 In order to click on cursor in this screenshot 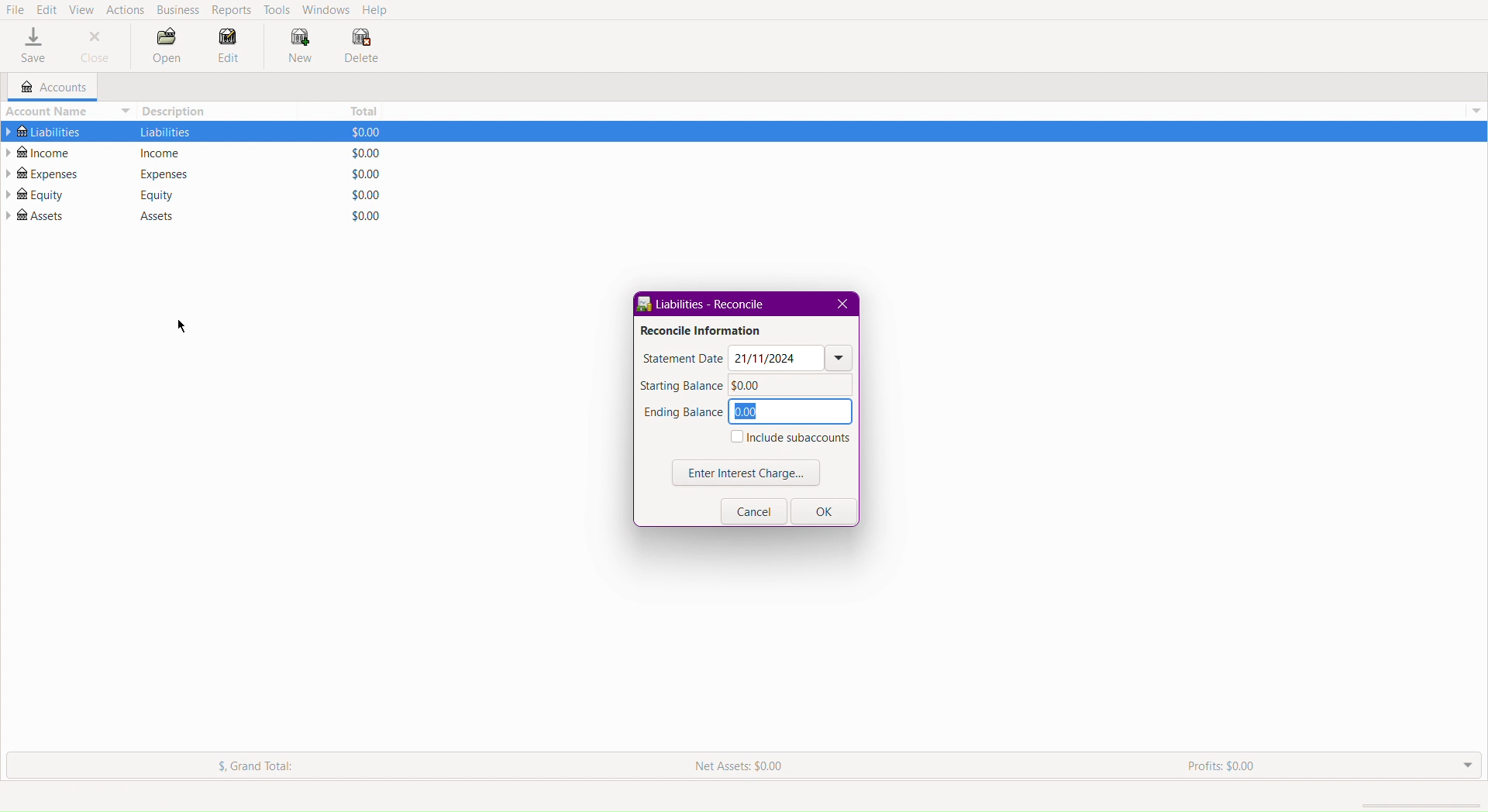, I will do `click(184, 327)`.